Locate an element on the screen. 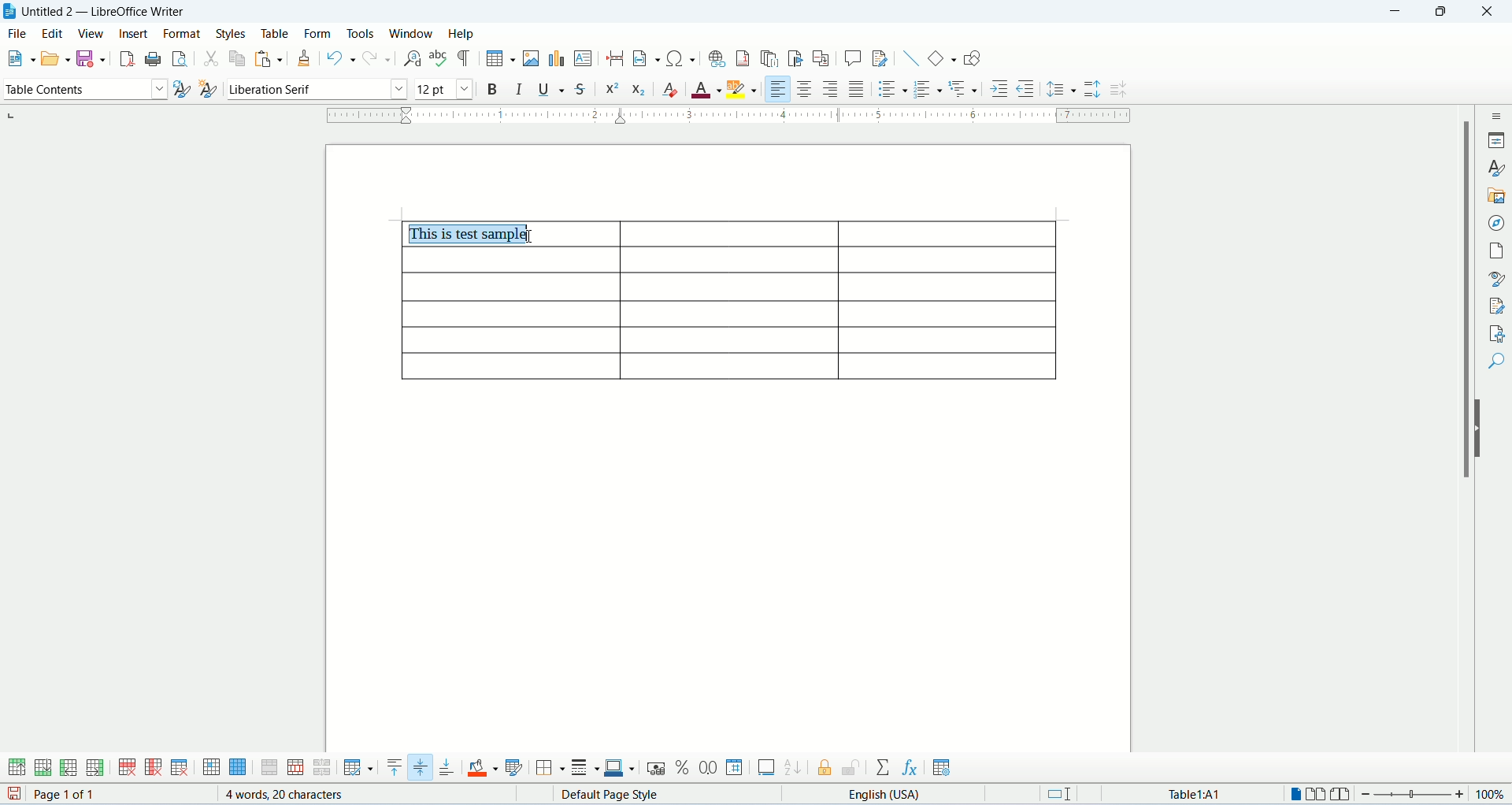  ordered list is located at coordinates (929, 88).